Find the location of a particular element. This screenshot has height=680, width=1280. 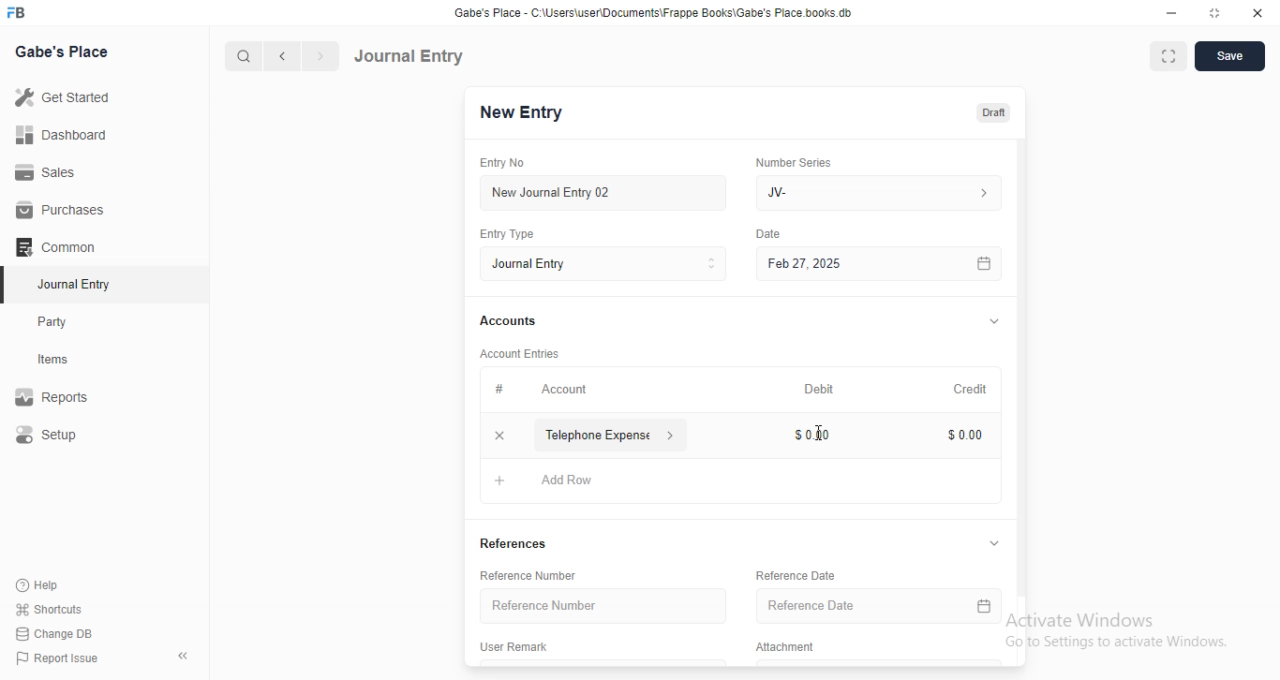

Add Row is located at coordinates (579, 479).